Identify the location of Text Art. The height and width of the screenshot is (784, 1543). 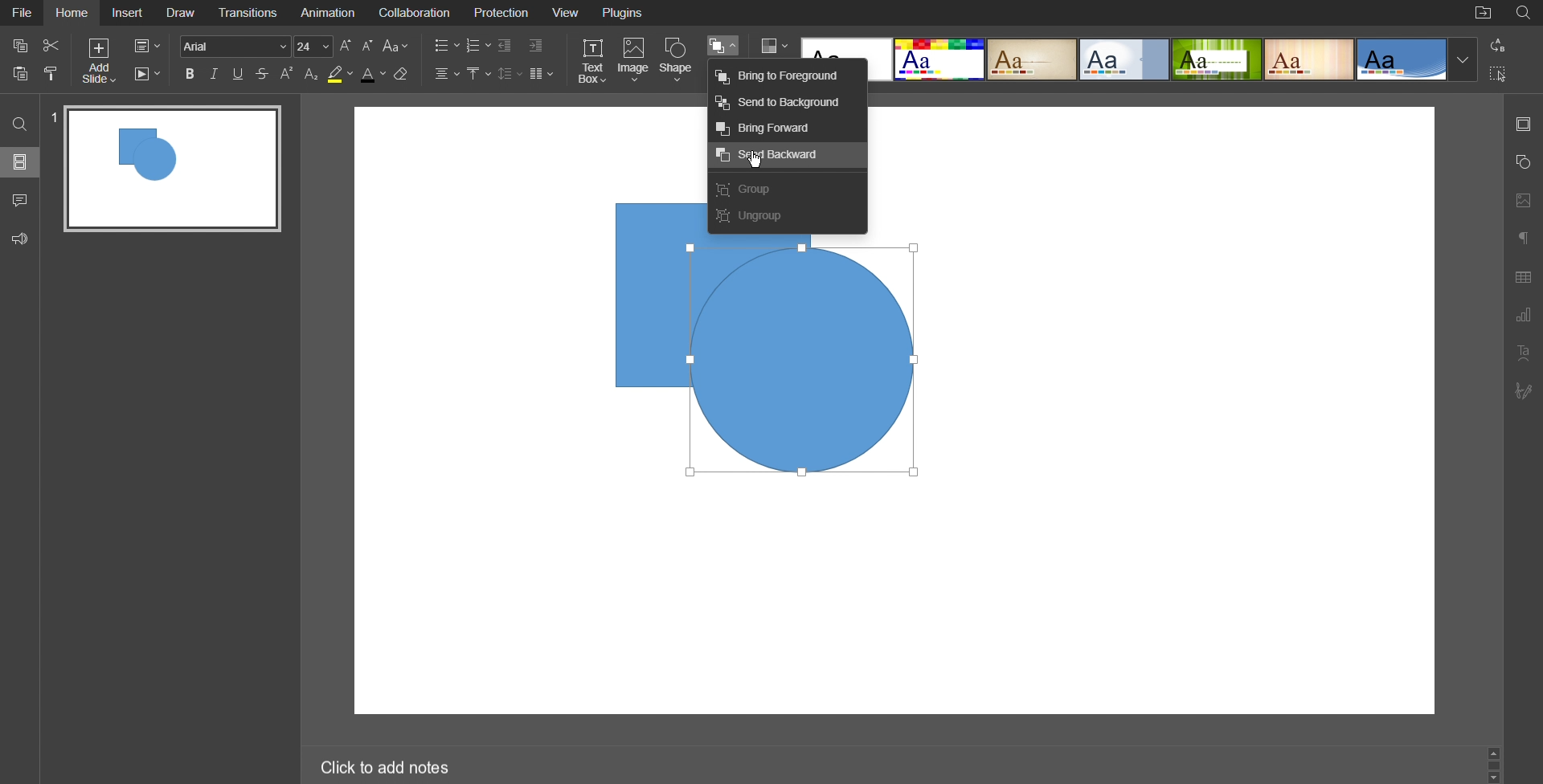
(1523, 354).